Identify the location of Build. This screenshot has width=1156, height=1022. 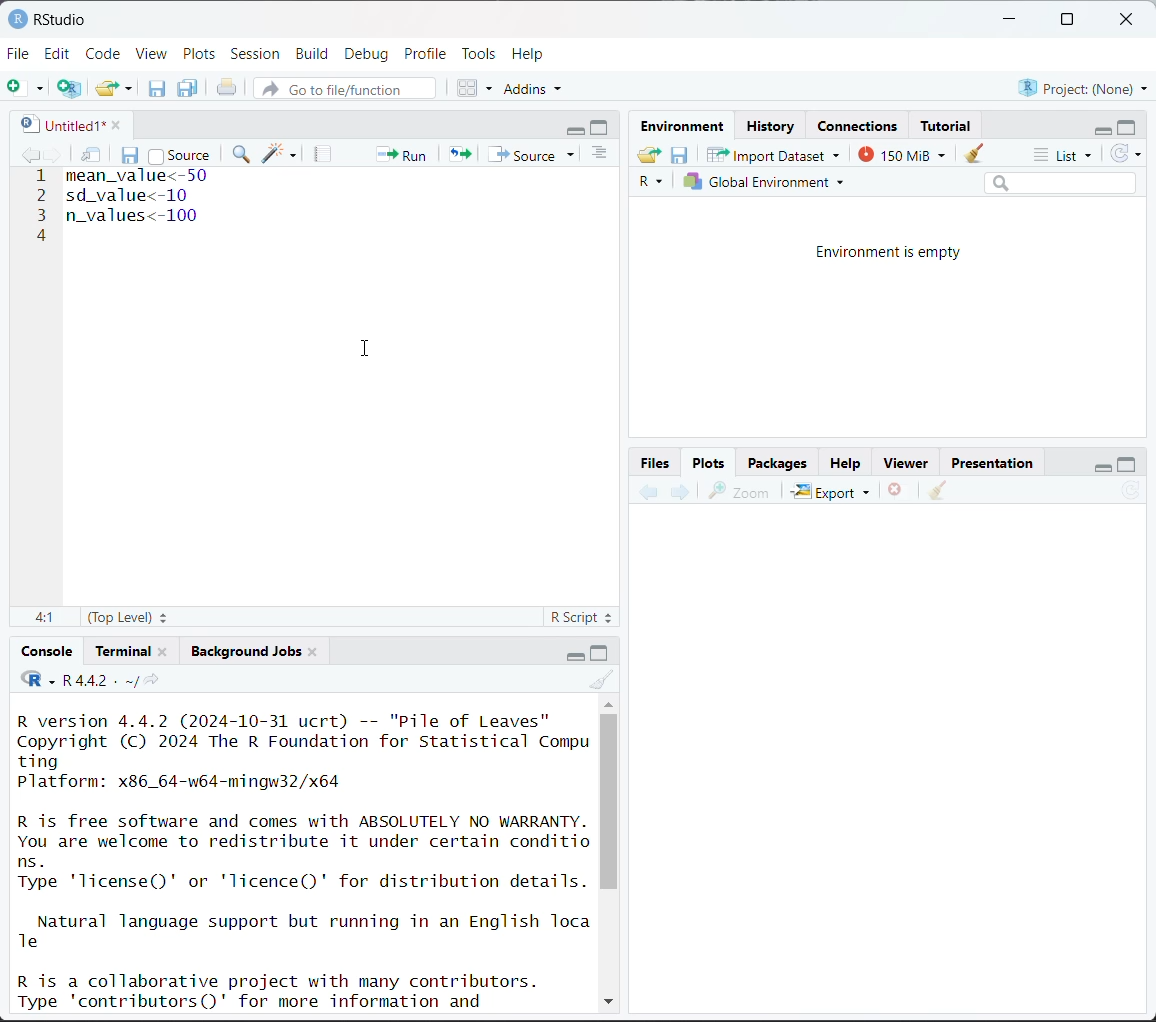
(315, 54).